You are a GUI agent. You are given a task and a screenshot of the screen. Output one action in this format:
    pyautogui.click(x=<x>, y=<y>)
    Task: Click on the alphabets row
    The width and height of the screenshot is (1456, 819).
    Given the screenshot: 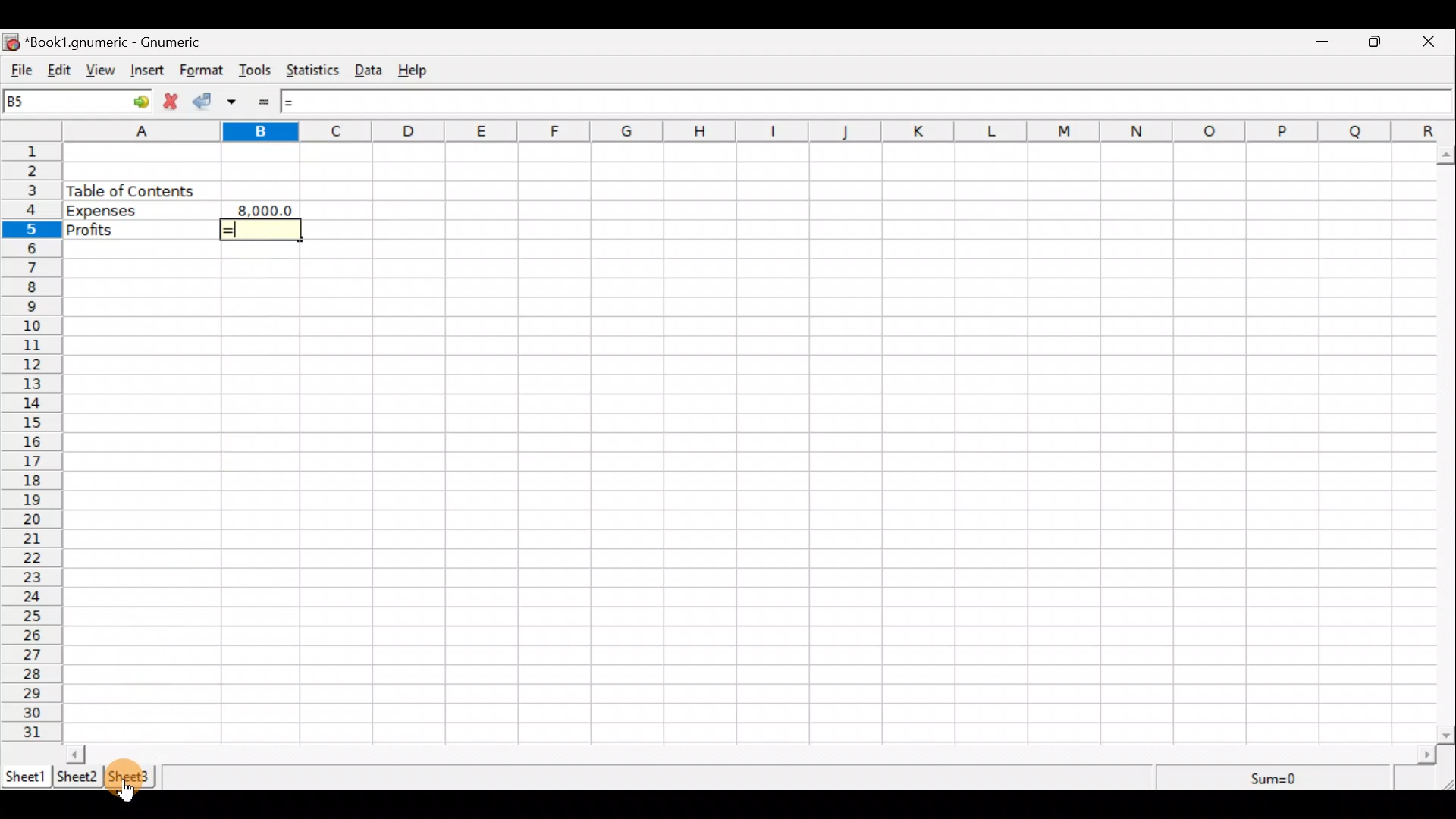 What is the action you would take?
    pyautogui.click(x=737, y=132)
    